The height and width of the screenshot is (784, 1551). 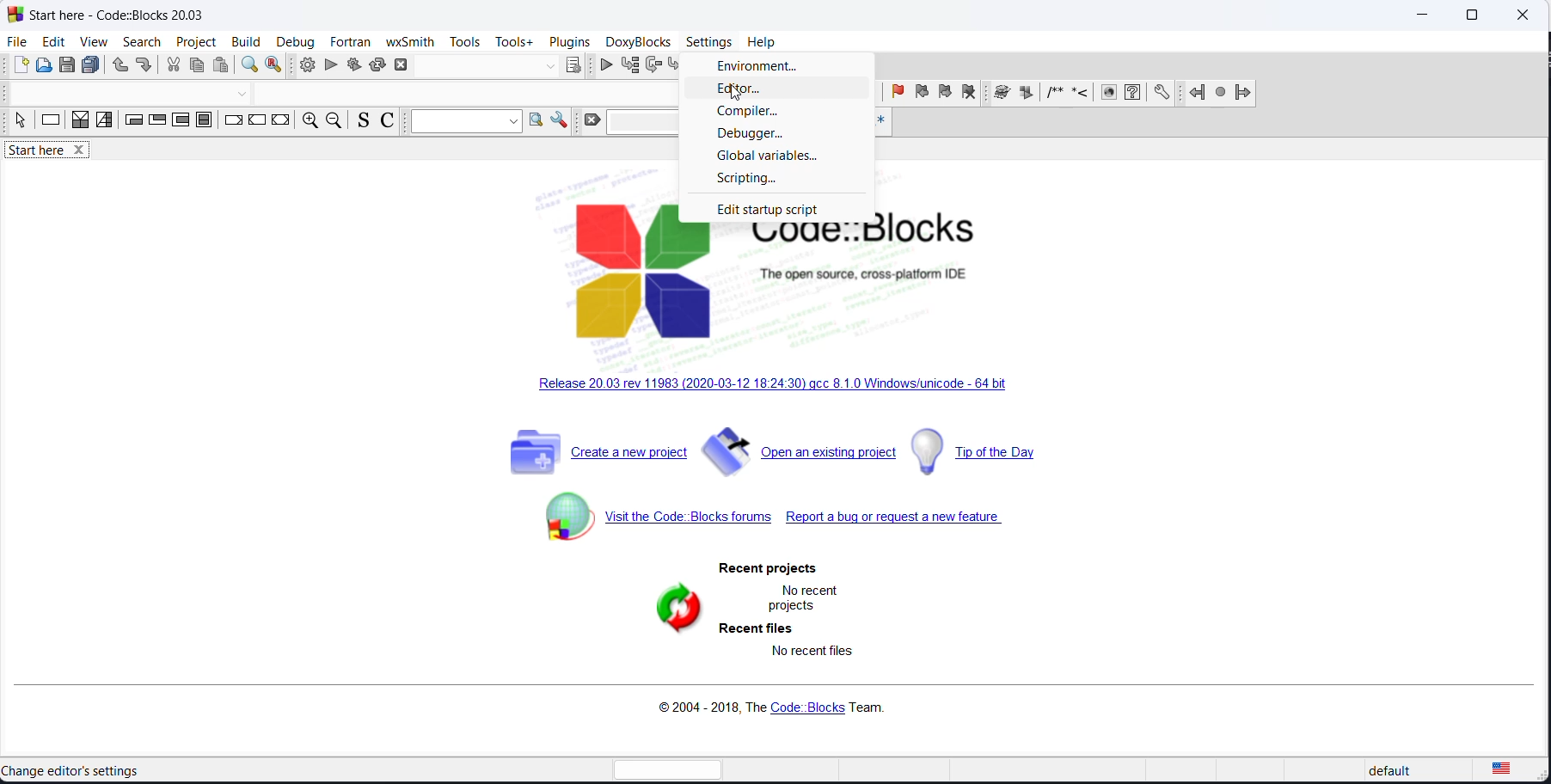 What do you see at coordinates (352, 66) in the screenshot?
I see `build and run` at bounding box center [352, 66].